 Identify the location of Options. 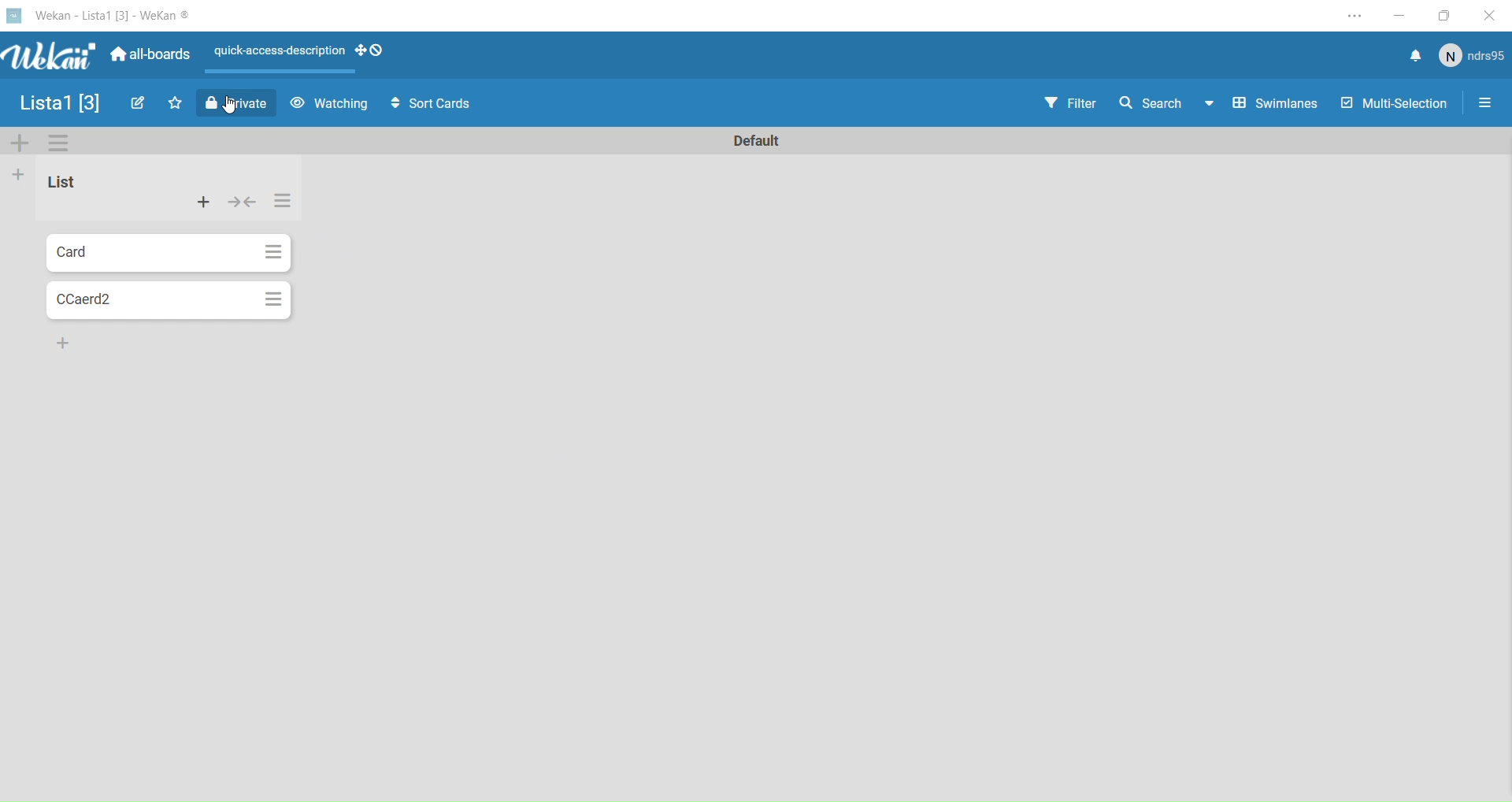
(282, 205).